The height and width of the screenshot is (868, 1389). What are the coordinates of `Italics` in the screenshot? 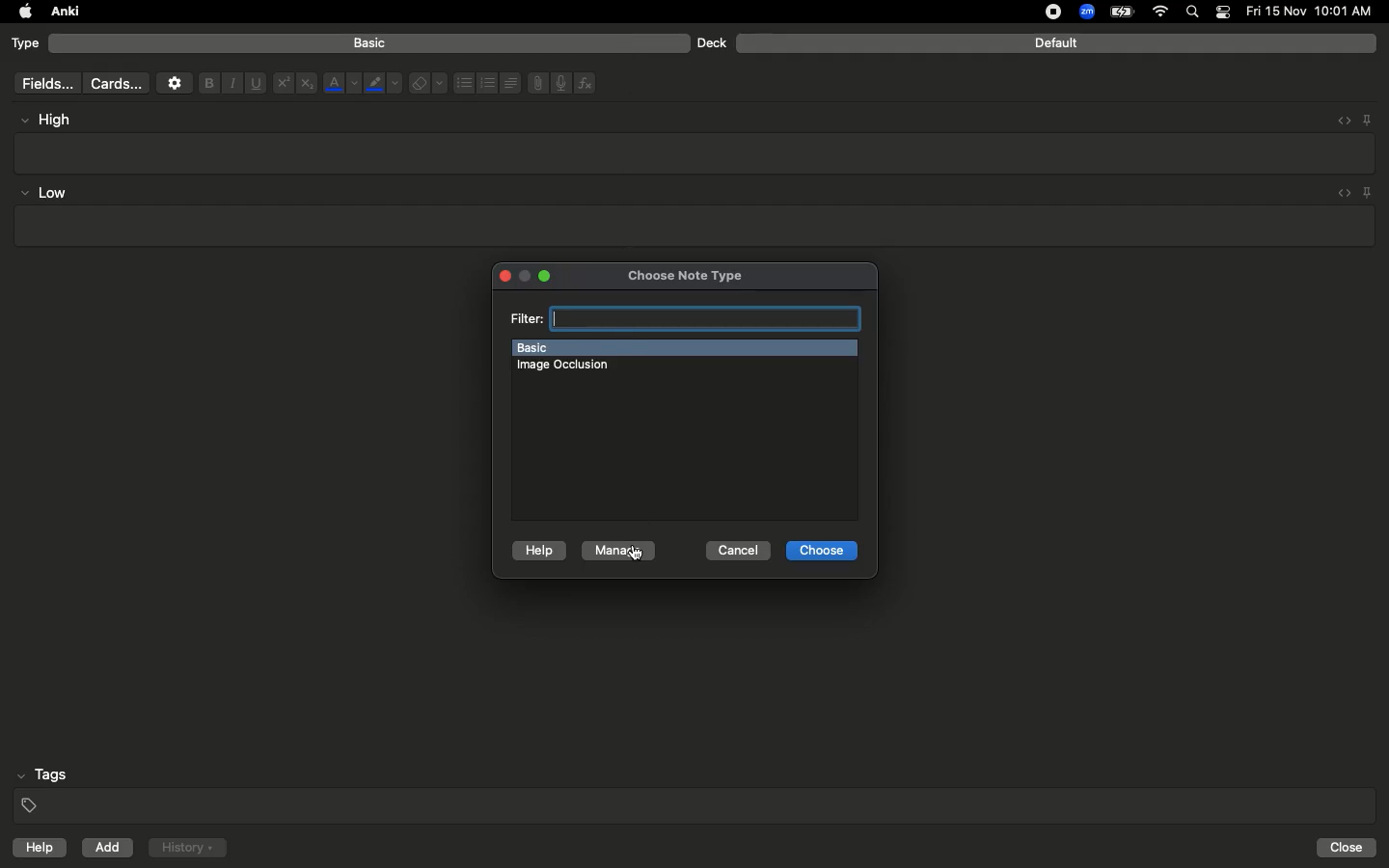 It's located at (230, 84).